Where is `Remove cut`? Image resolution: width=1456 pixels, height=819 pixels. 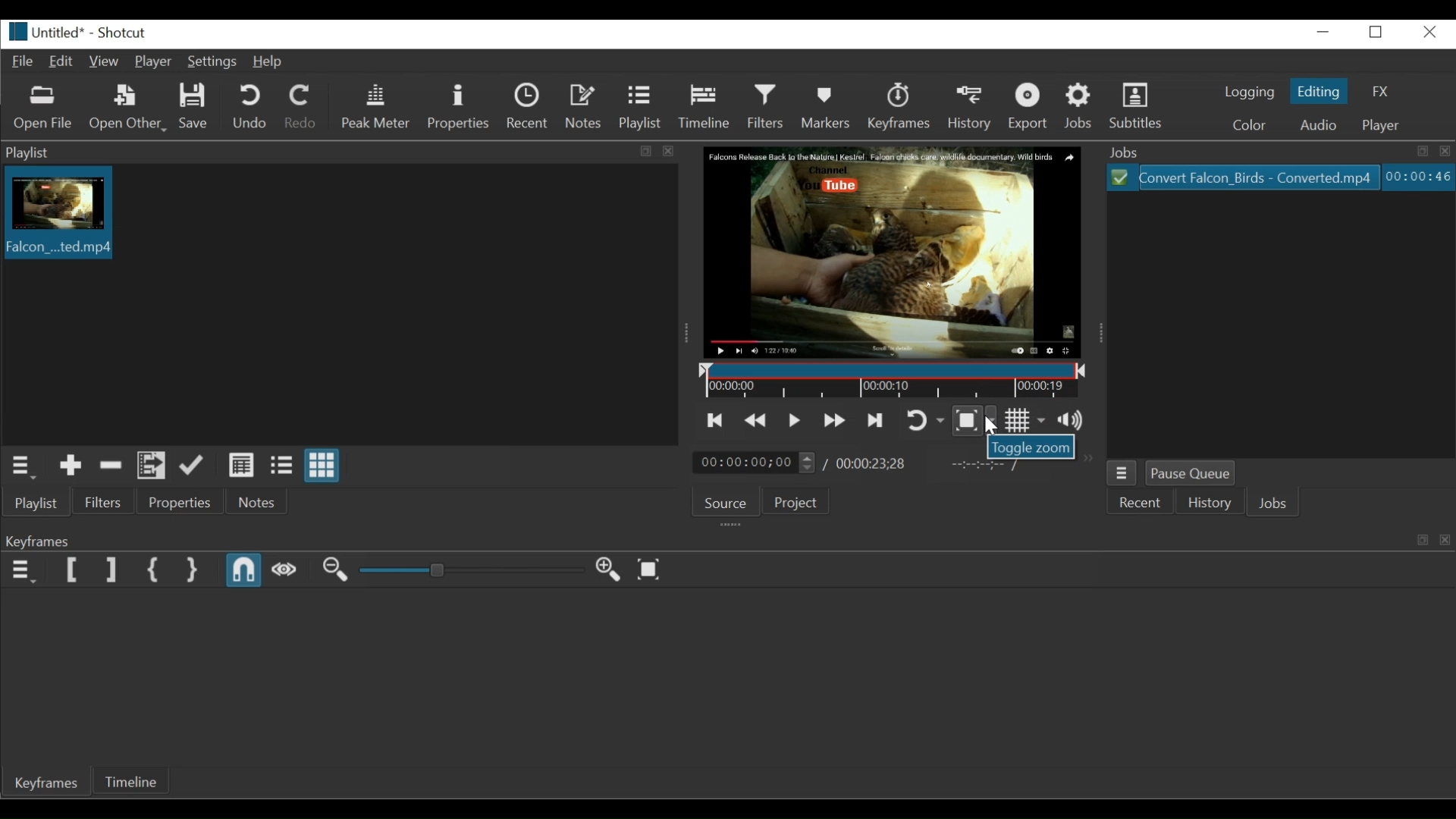 Remove cut is located at coordinates (111, 466).